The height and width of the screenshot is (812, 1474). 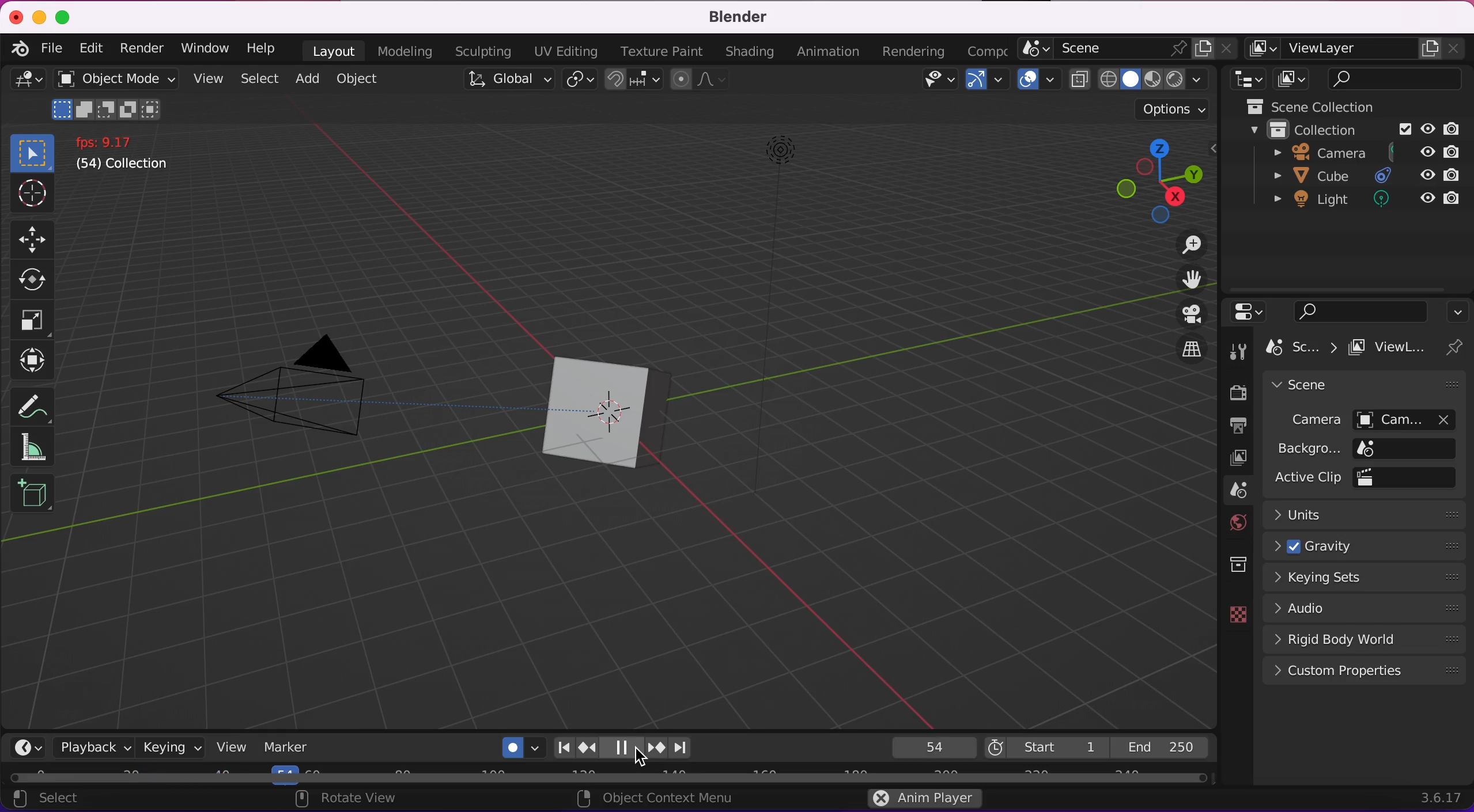 What do you see at coordinates (1165, 747) in the screenshot?
I see `end 250` at bounding box center [1165, 747].